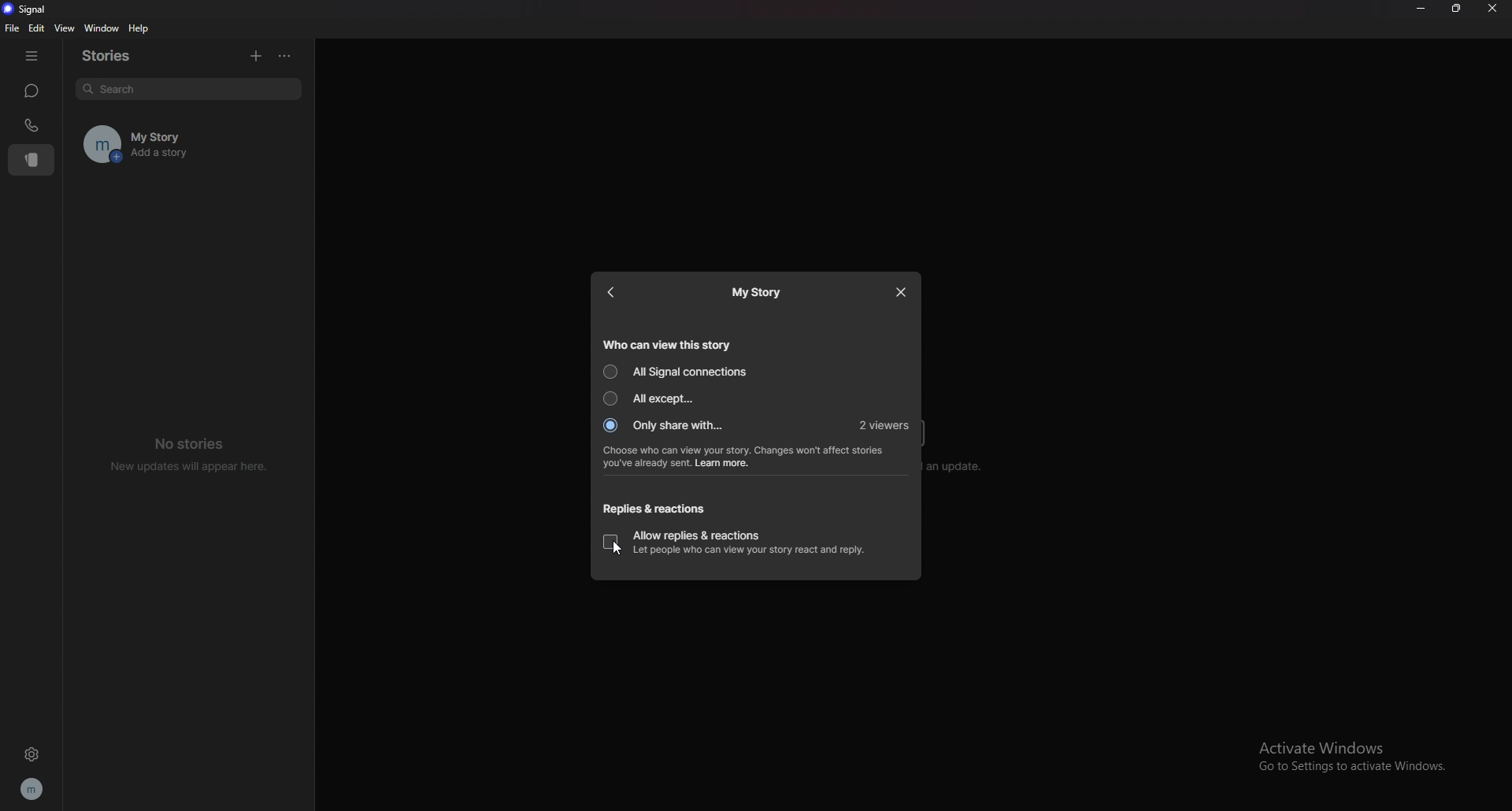 Image resolution: width=1512 pixels, height=811 pixels. What do you see at coordinates (666, 426) in the screenshot?
I see `only share with` at bounding box center [666, 426].